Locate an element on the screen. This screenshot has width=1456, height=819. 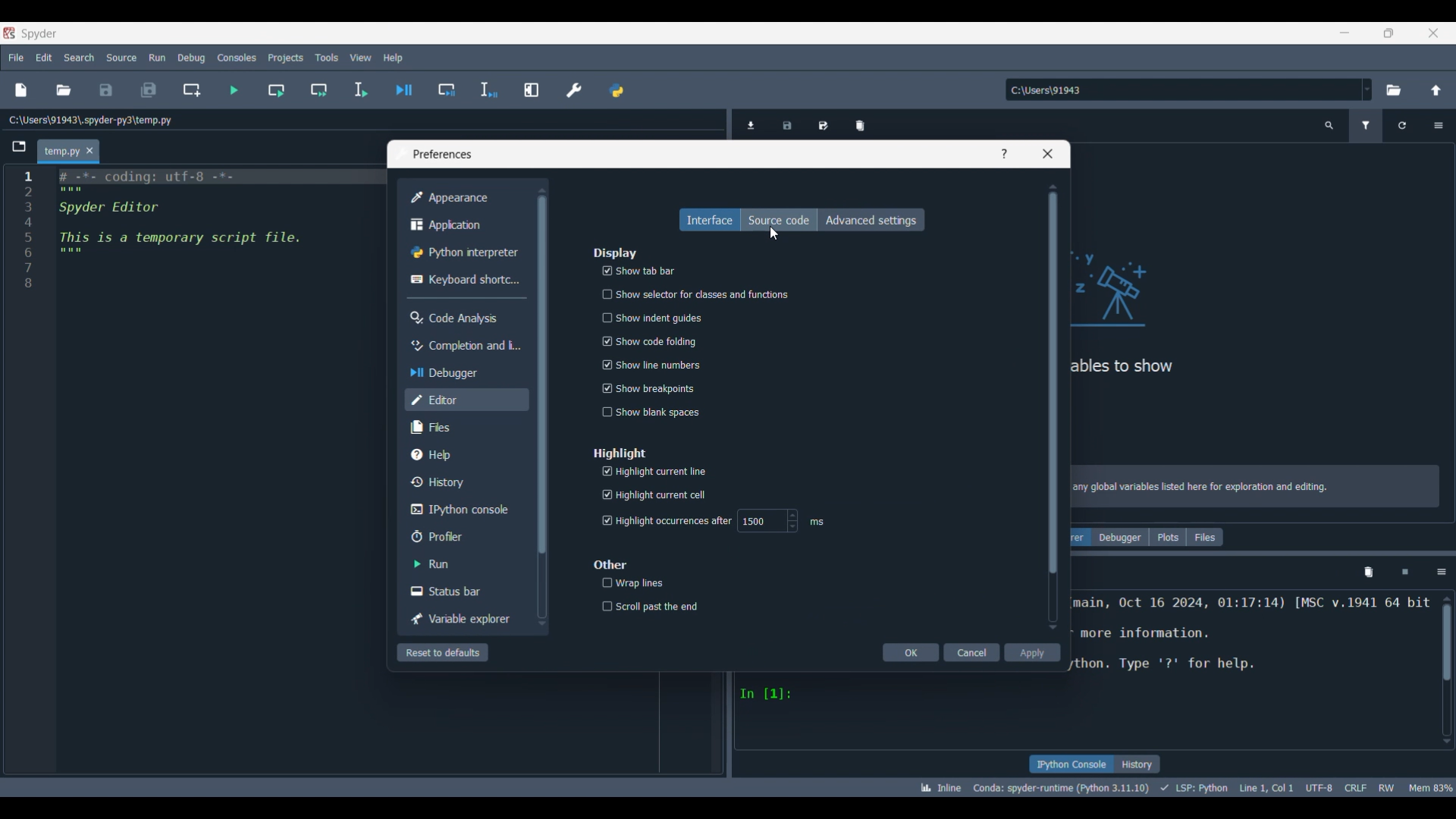
Consoles menu is located at coordinates (237, 58).